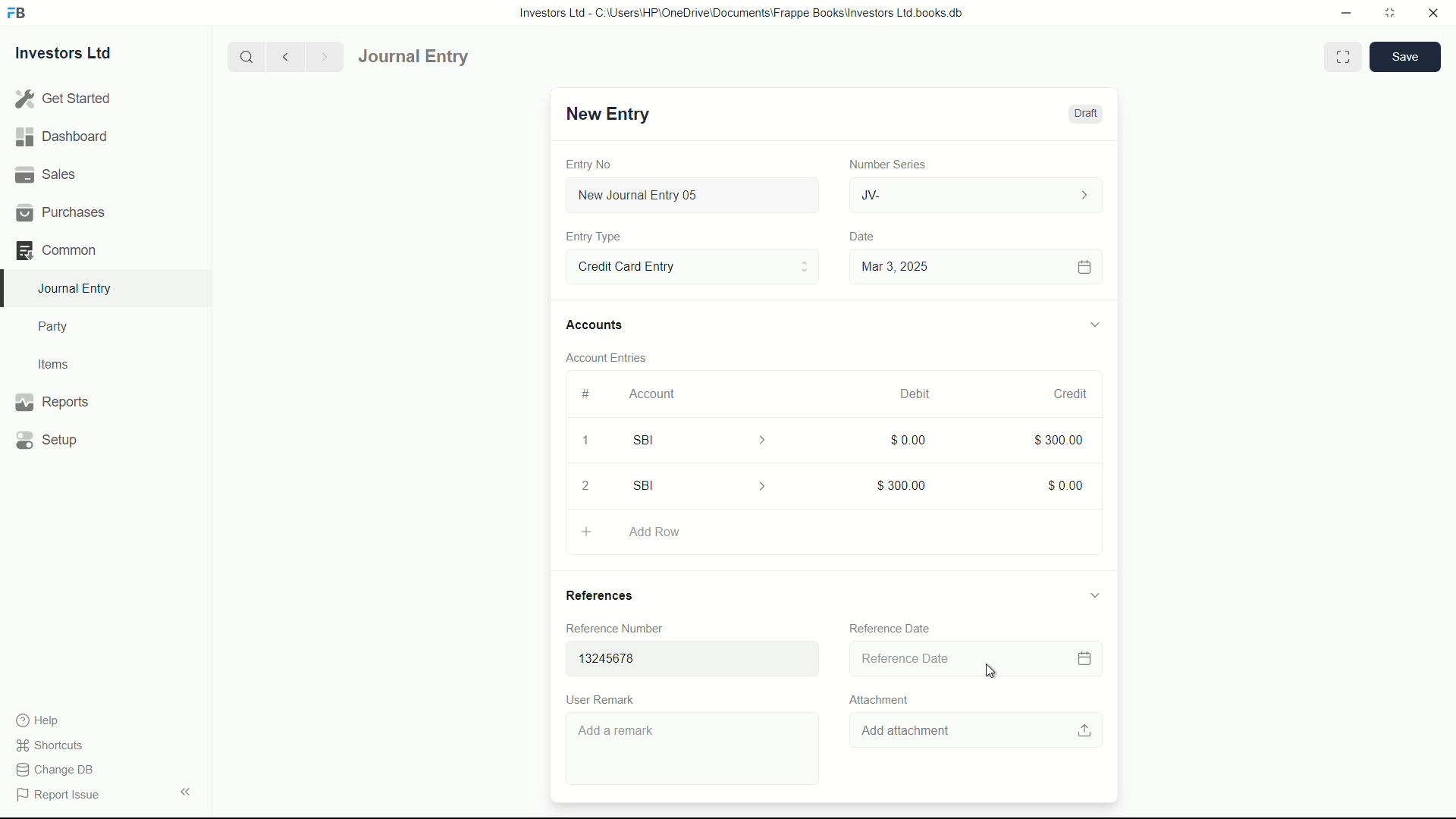  I want to click on Add a remark, so click(695, 752).